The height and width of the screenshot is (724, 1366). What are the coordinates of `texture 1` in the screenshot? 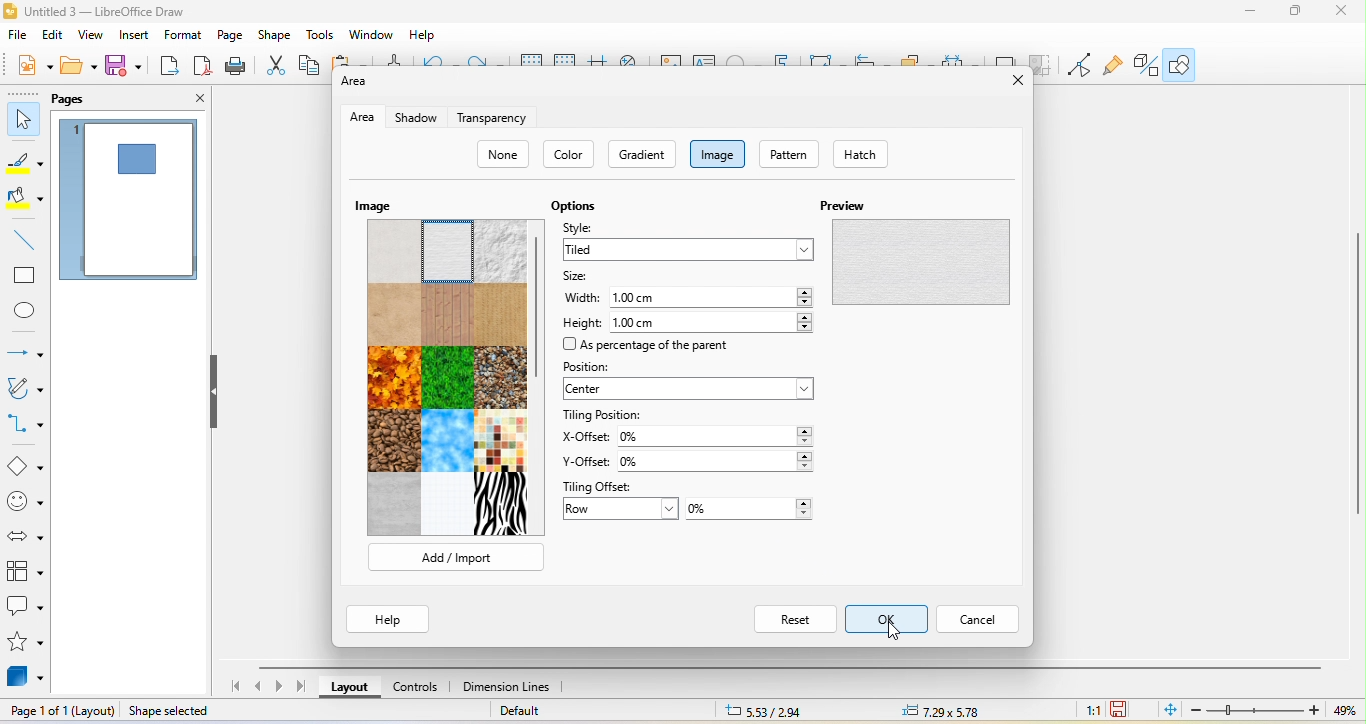 It's located at (394, 250).